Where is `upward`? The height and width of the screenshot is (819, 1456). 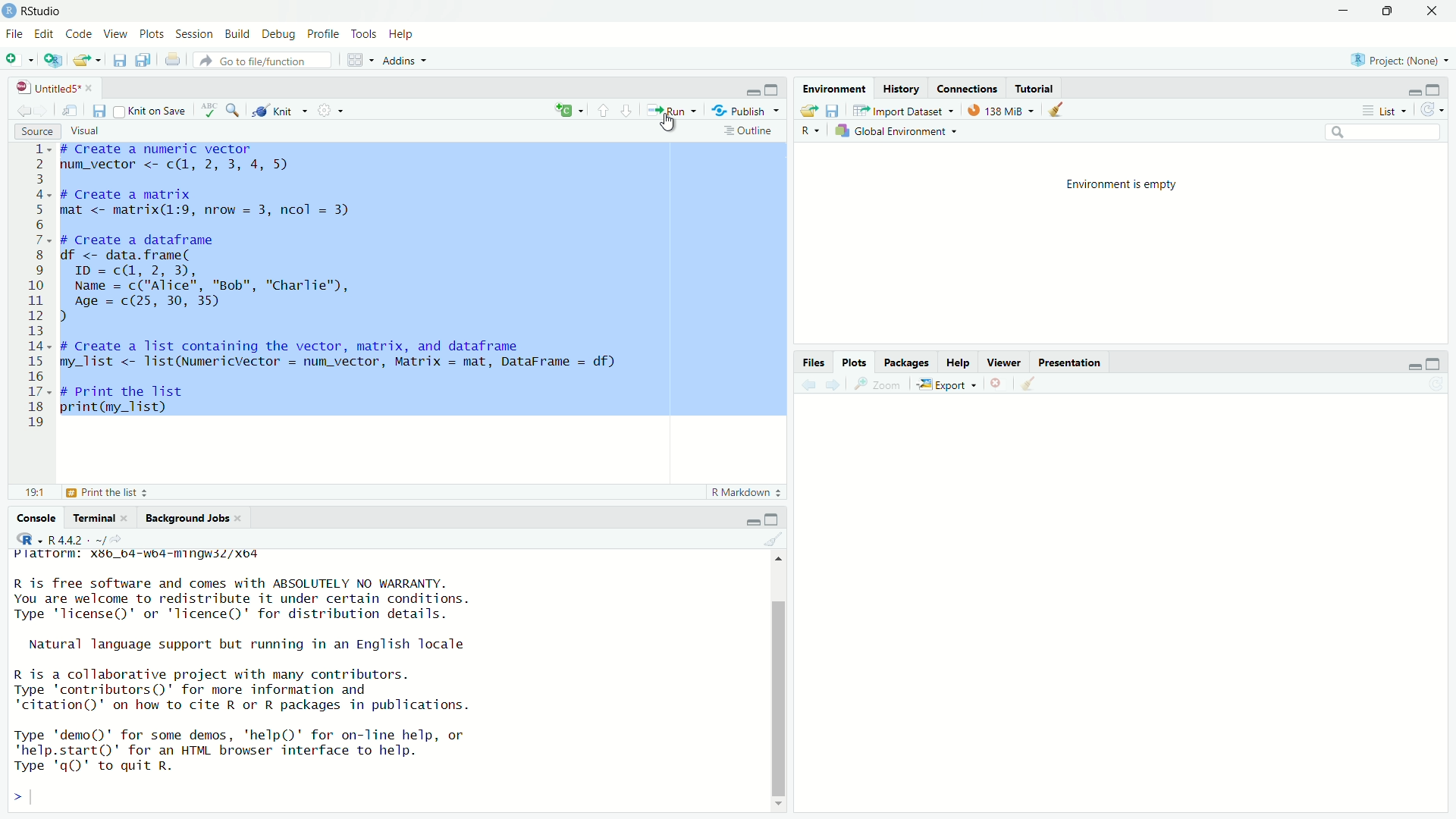 upward is located at coordinates (607, 110).